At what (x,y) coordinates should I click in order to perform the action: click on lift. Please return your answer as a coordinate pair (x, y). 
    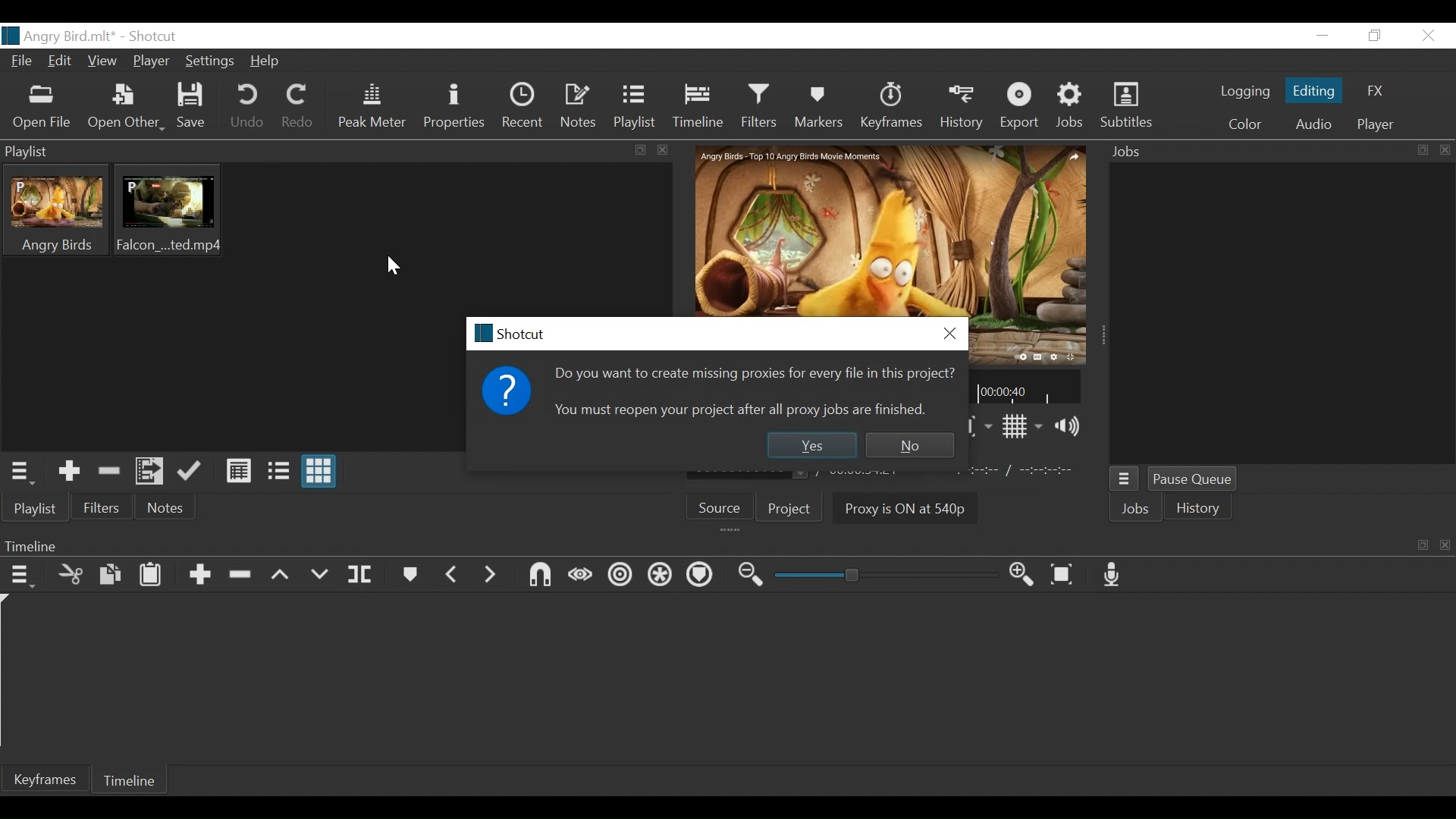
    Looking at the image, I should click on (279, 575).